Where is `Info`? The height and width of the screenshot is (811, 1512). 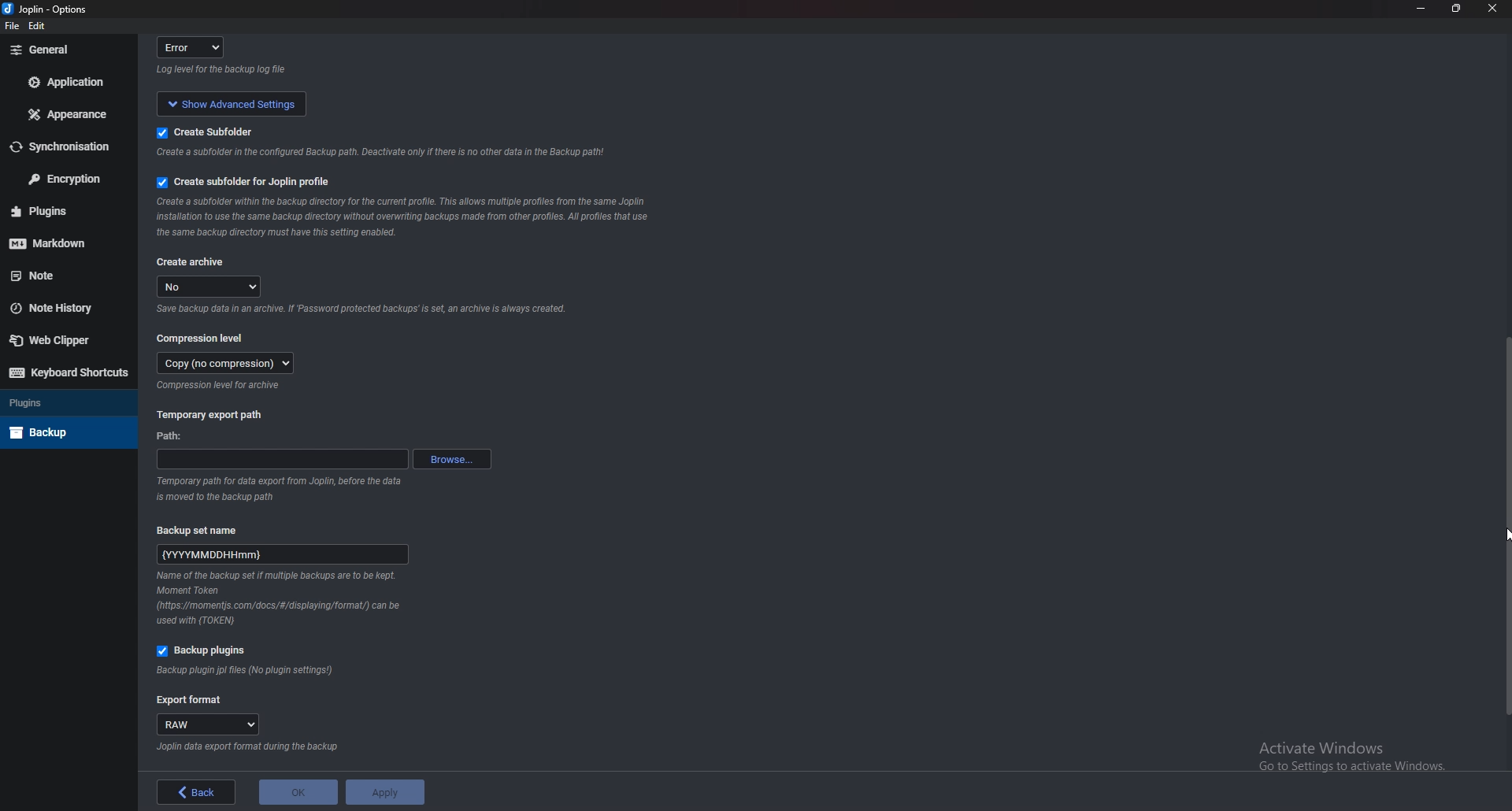 Info is located at coordinates (246, 671).